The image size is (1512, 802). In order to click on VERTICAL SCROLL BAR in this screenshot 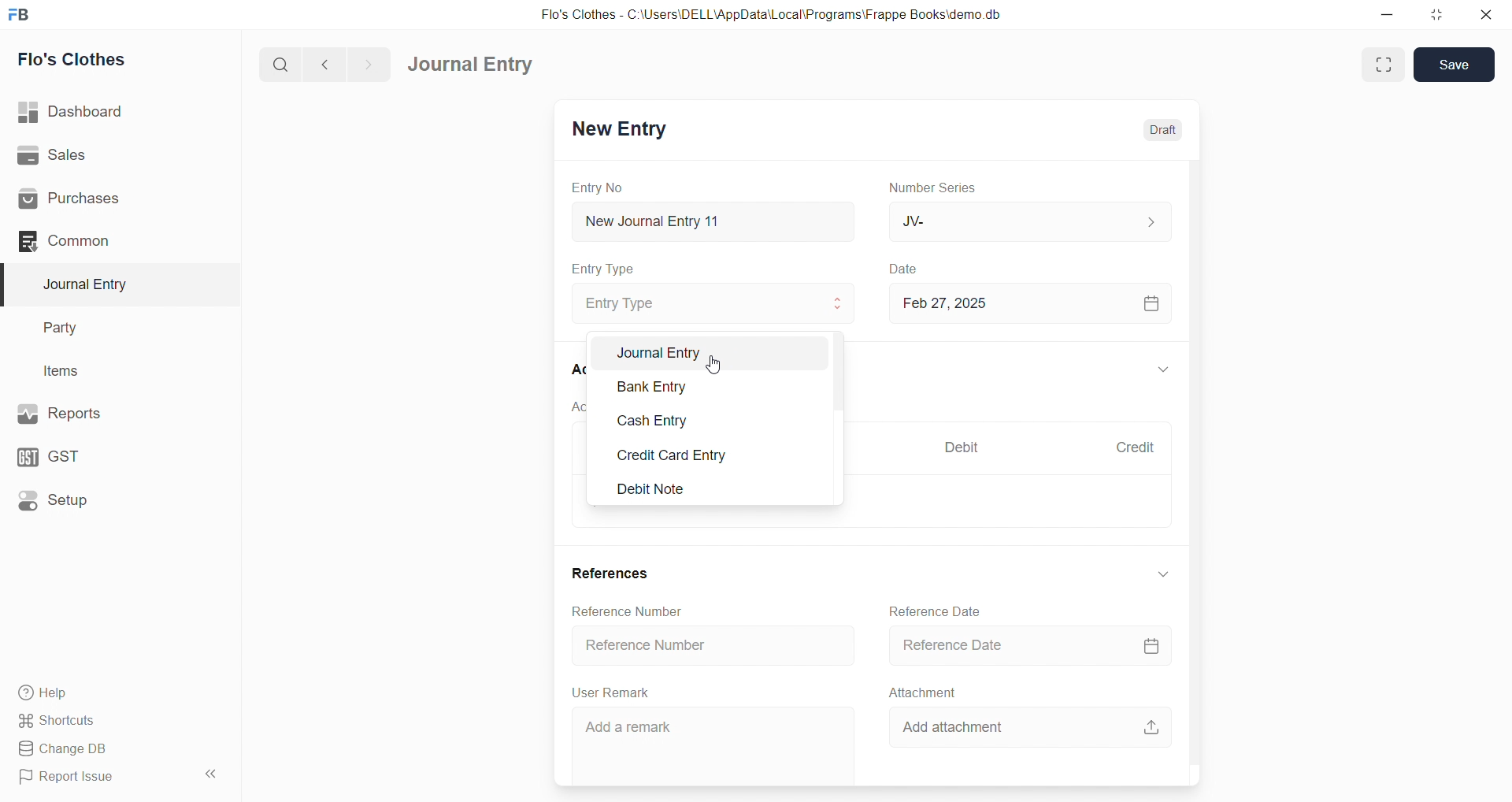, I will do `click(1192, 472)`.